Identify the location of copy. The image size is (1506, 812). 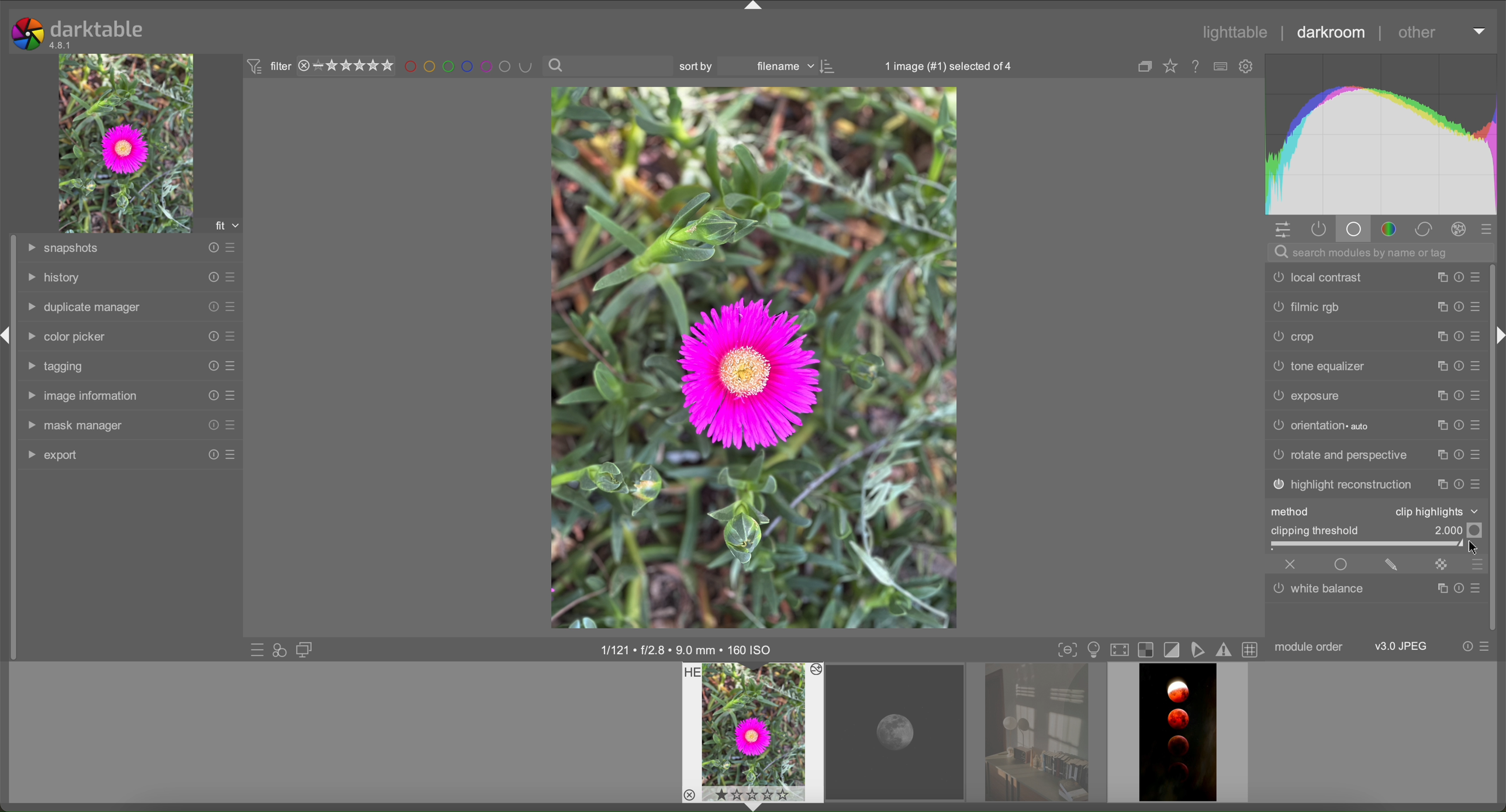
(1441, 396).